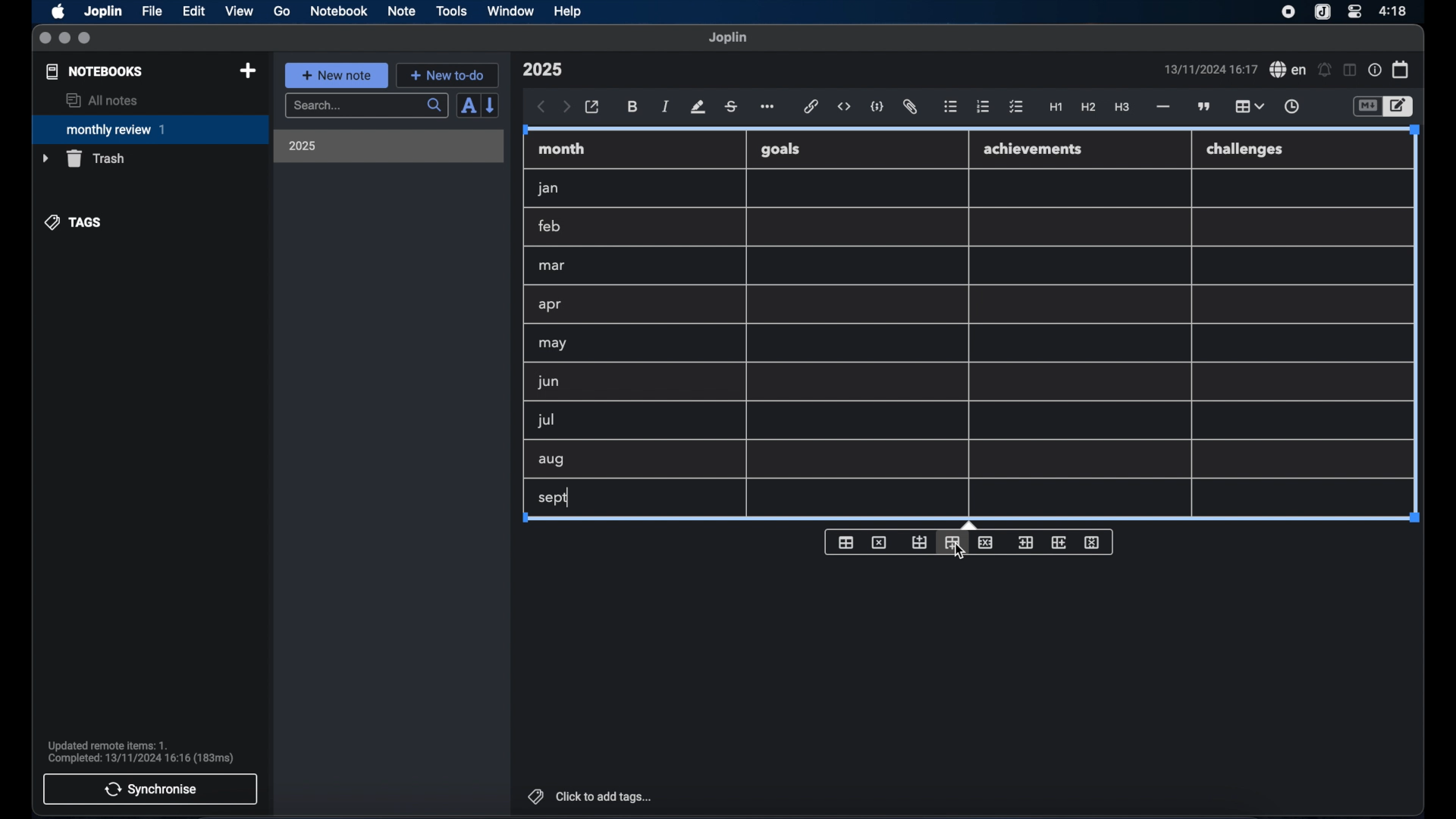 This screenshot has height=819, width=1456. I want to click on month, so click(562, 149).